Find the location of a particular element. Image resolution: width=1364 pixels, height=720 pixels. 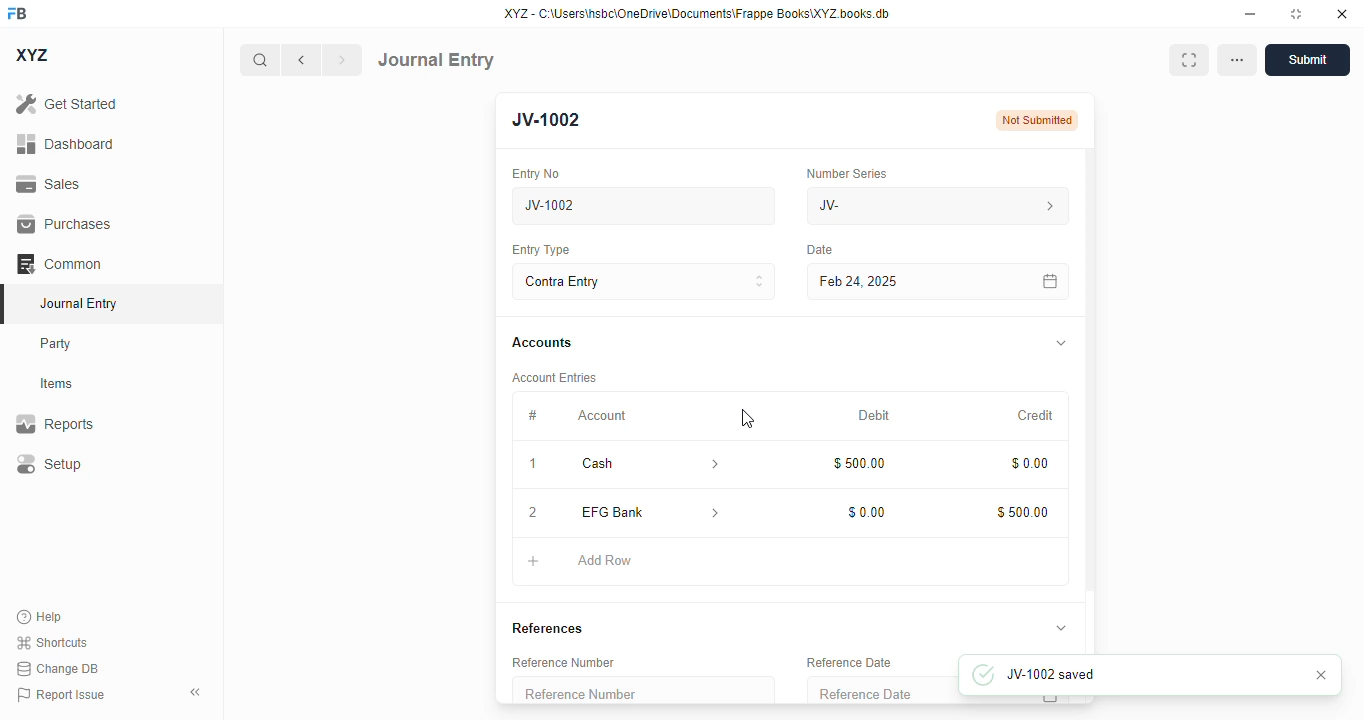

add button is located at coordinates (532, 561).